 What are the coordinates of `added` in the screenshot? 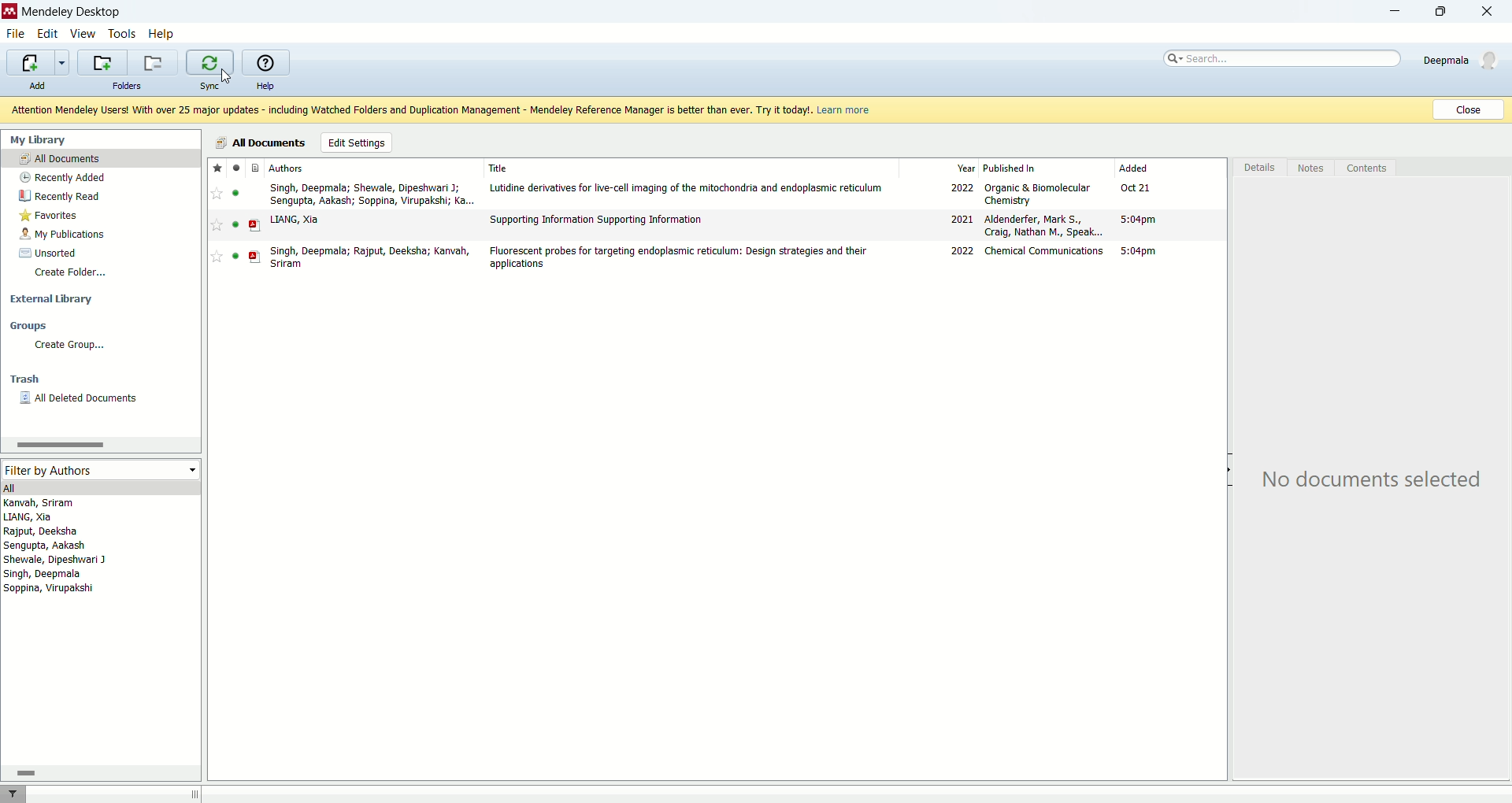 It's located at (1170, 168).